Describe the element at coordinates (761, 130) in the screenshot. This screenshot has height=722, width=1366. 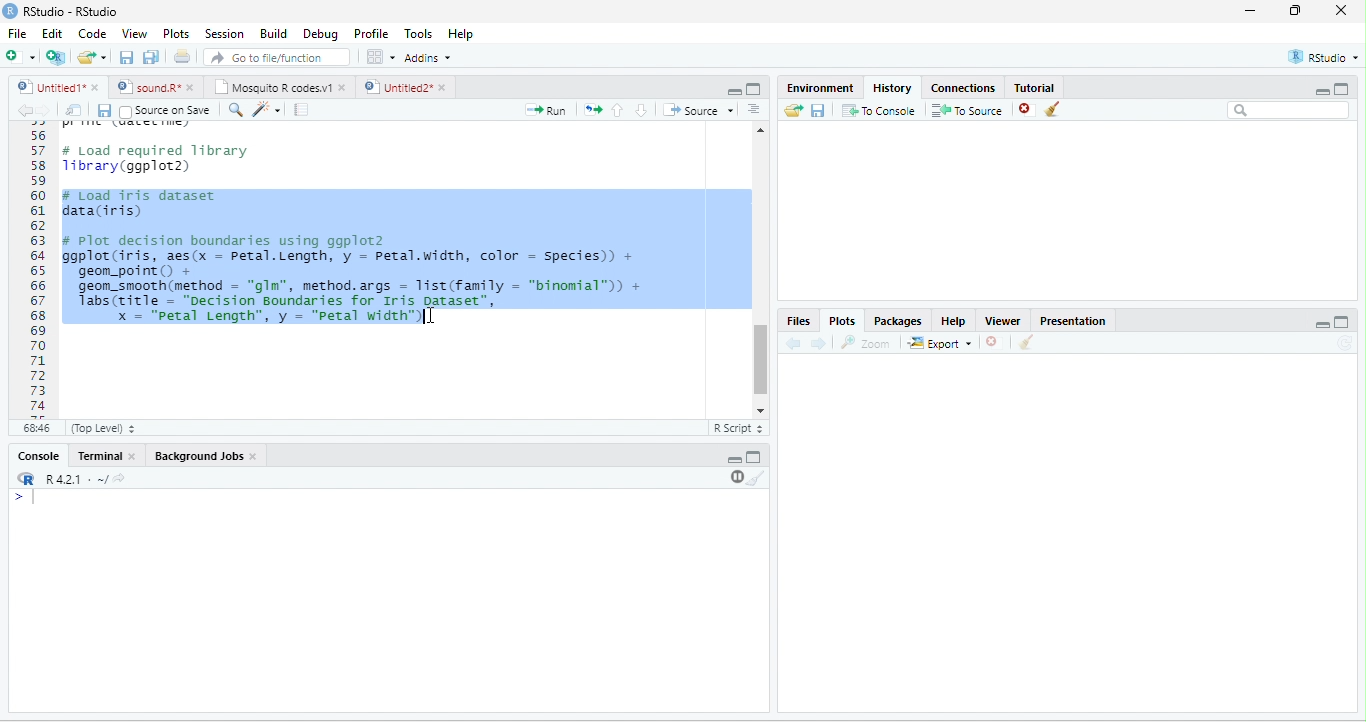
I see `scroll up` at that location.